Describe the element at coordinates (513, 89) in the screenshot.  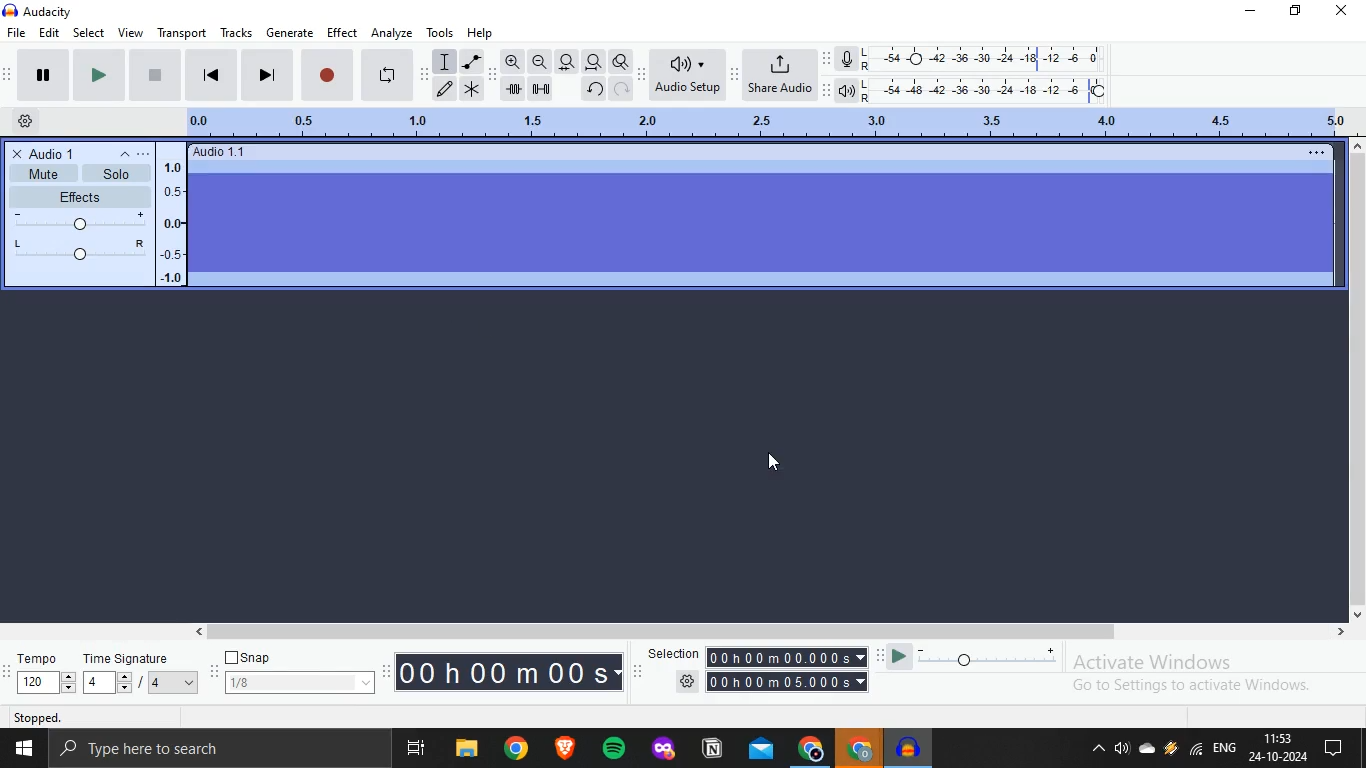
I see `Time Shift` at that location.